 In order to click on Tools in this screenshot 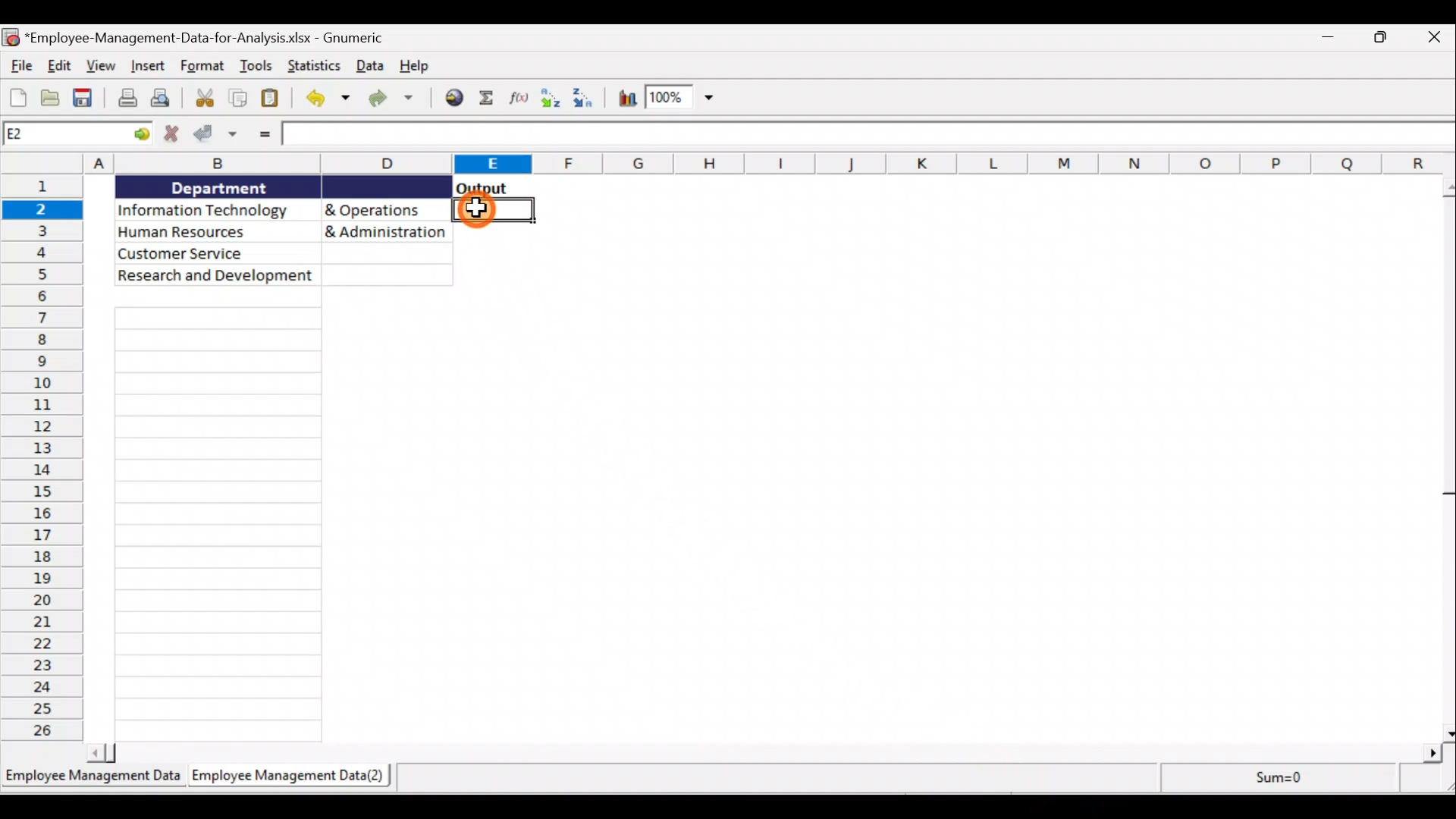, I will do `click(258, 64)`.